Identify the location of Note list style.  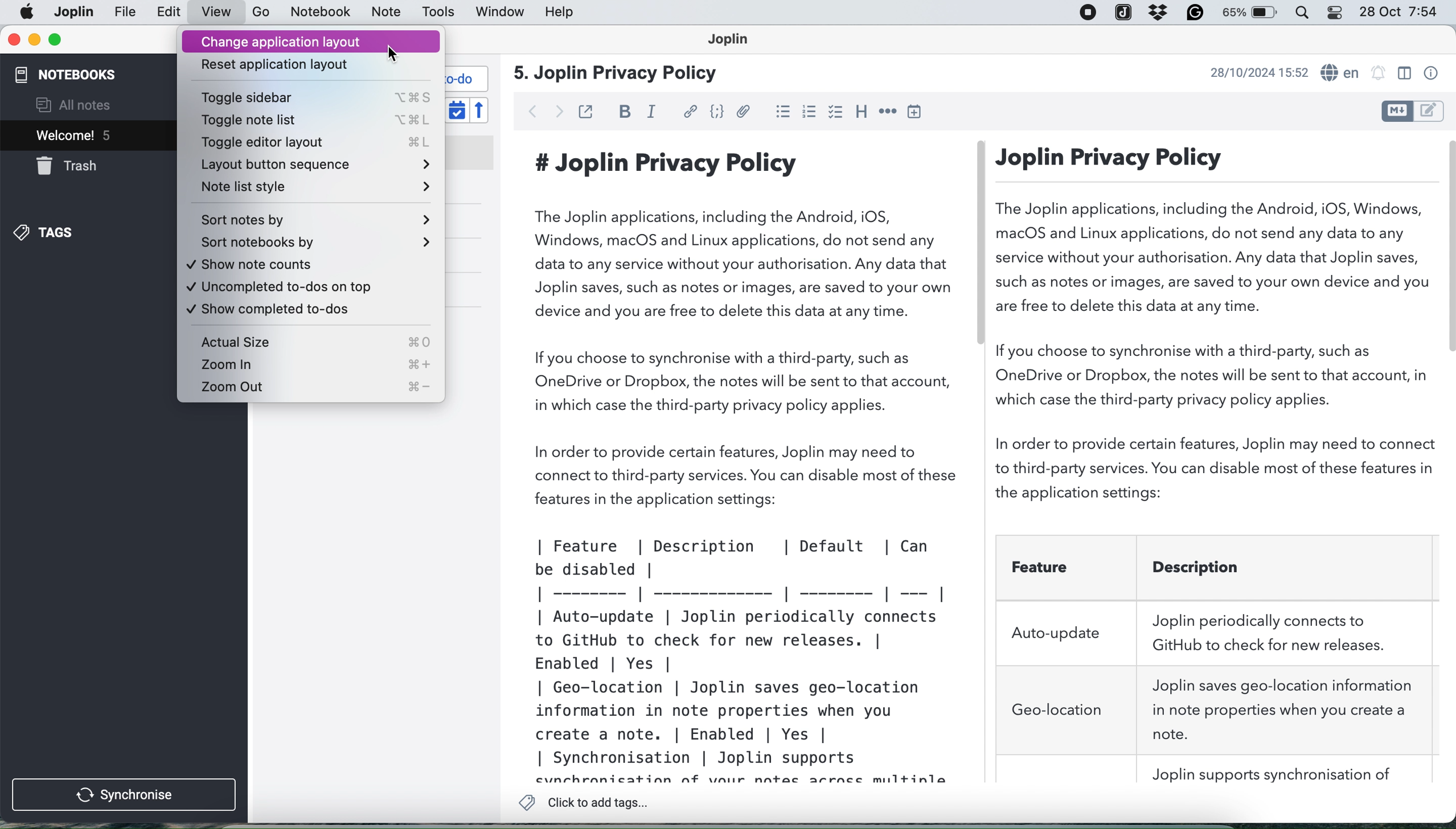
(312, 190).